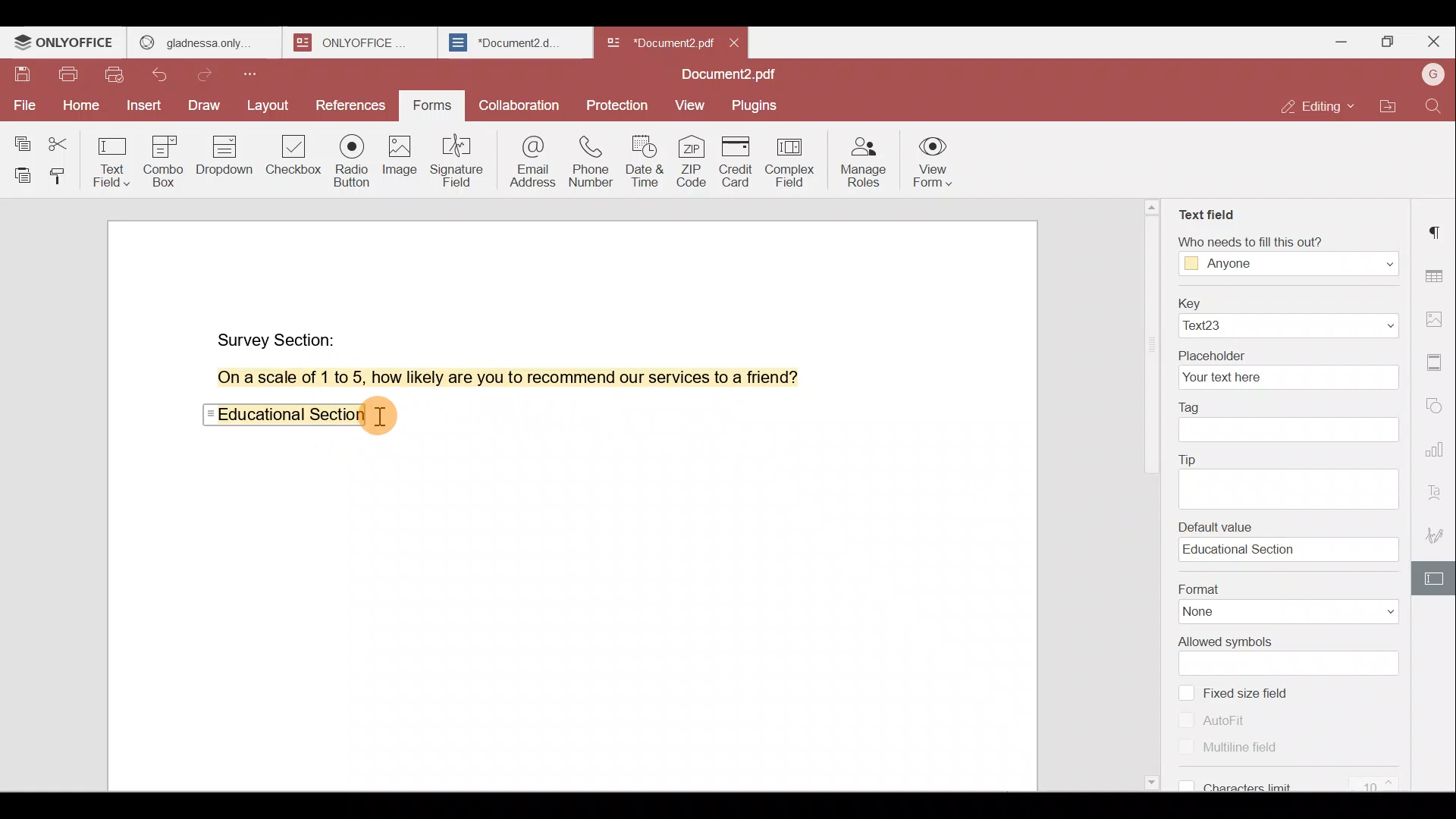 The height and width of the screenshot is (819, 1456). What do you see at coordinates (1439, 322) in the screenshot?
I see `Image settings` at bounding box center [1439, 322].